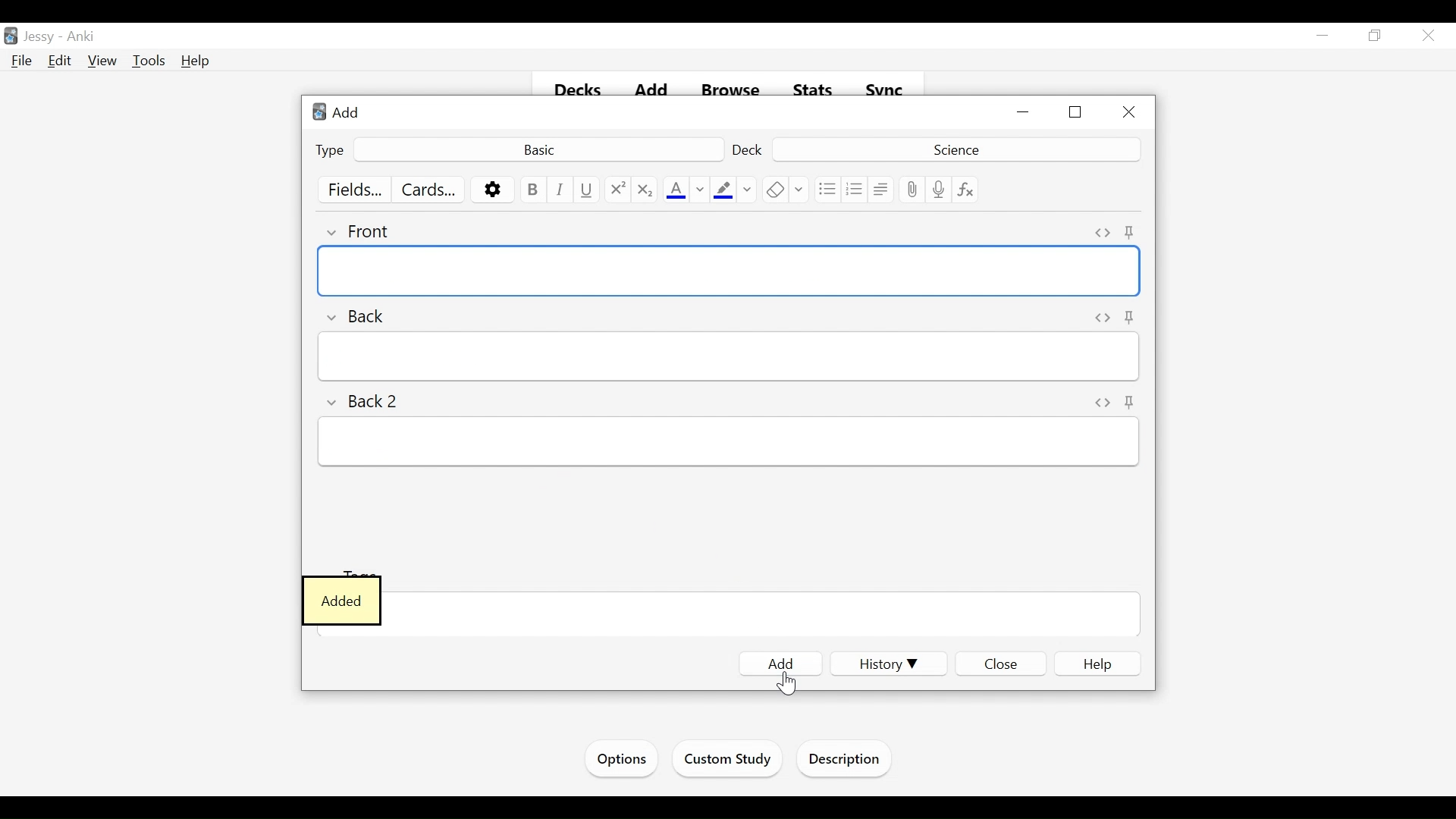 This screenshot has height=819, width=1456. I want to click on Fields, so click(356, 190).